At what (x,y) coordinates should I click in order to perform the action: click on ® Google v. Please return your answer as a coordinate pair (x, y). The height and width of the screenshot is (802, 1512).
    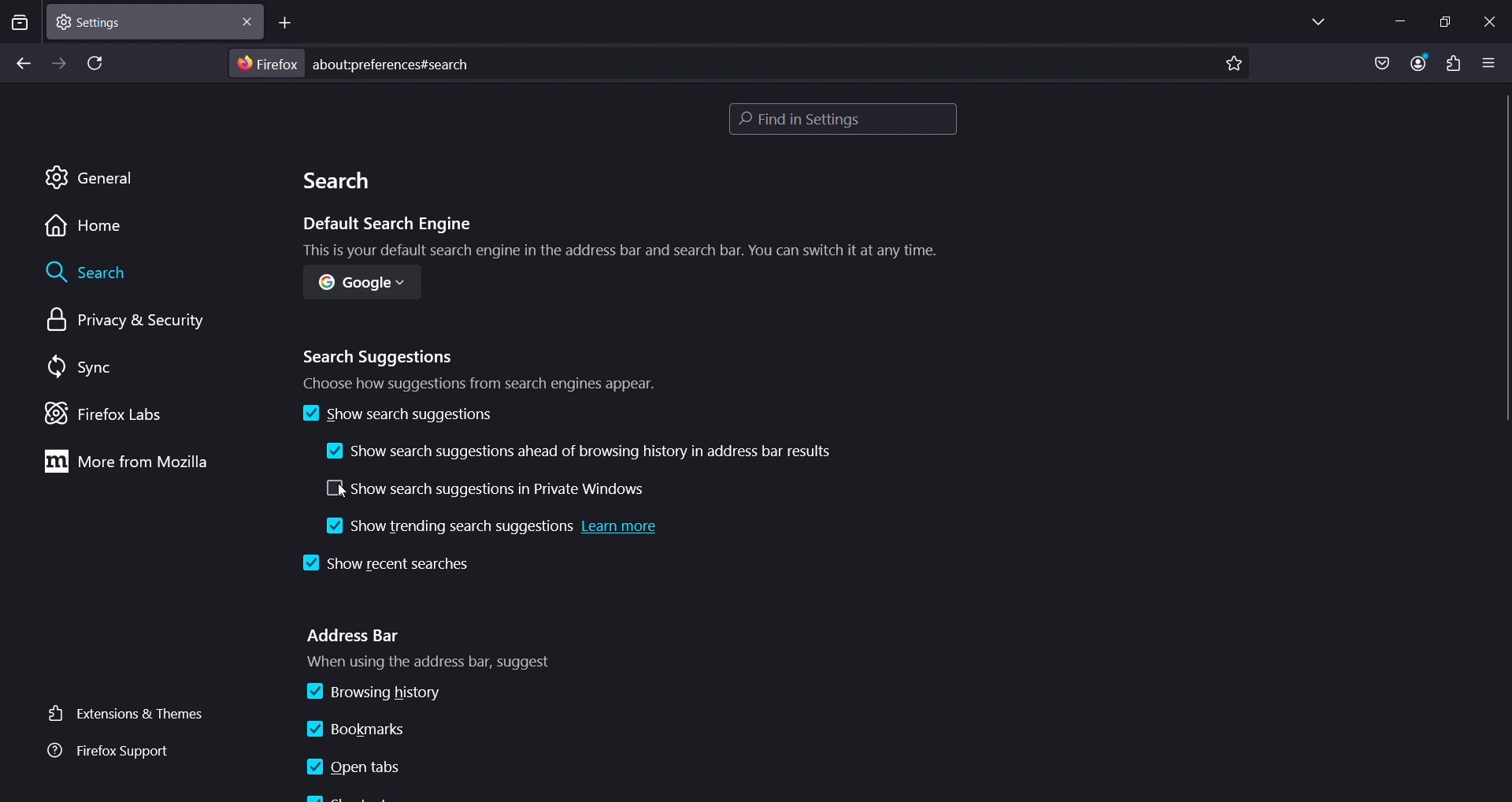
    Looking at the image, I should click on (361, 286).